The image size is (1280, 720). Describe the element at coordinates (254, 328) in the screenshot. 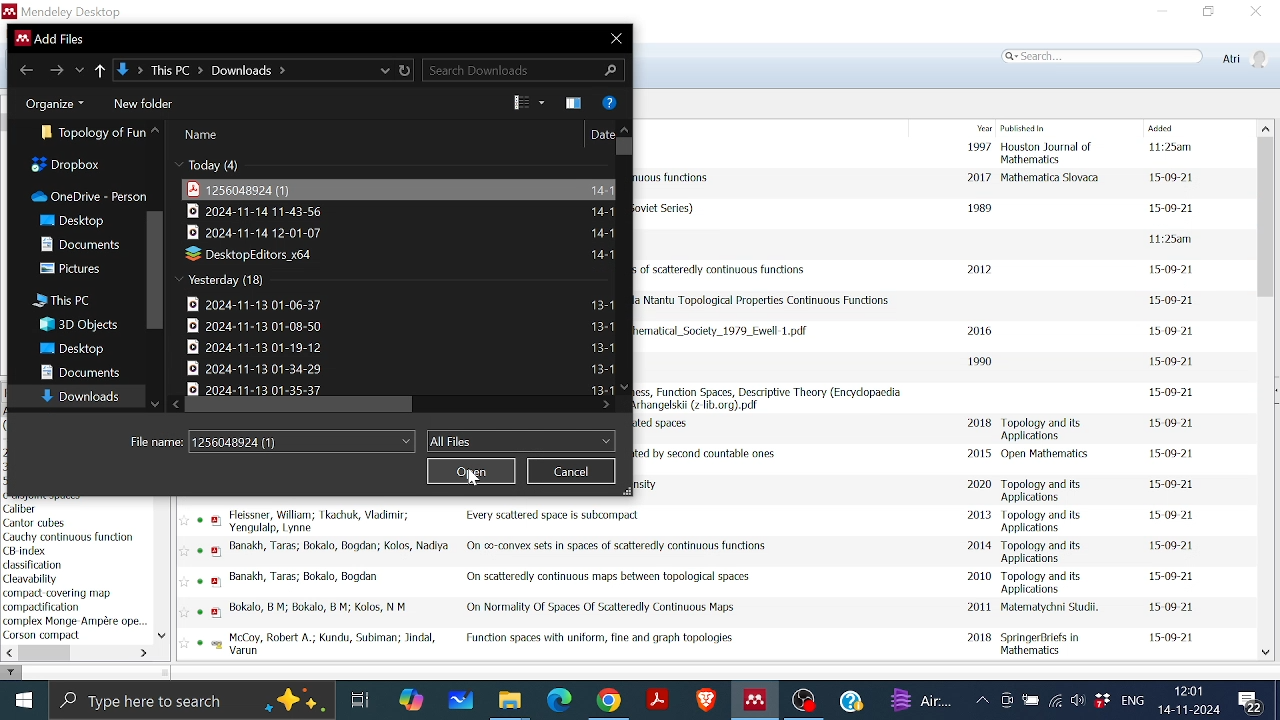

I see `File` at that location.